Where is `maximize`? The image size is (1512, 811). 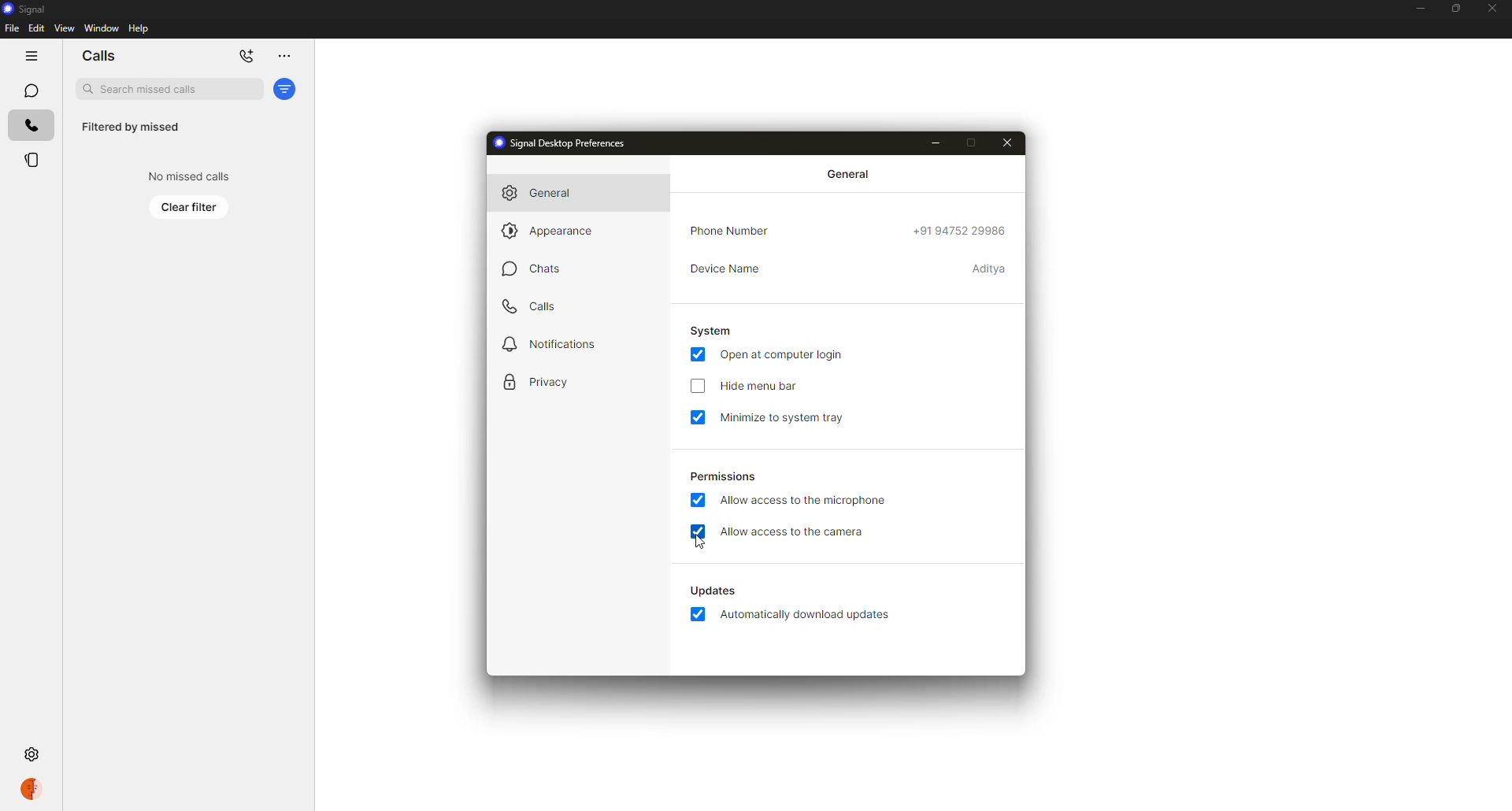 maximize is located at coordinates (971, 143).